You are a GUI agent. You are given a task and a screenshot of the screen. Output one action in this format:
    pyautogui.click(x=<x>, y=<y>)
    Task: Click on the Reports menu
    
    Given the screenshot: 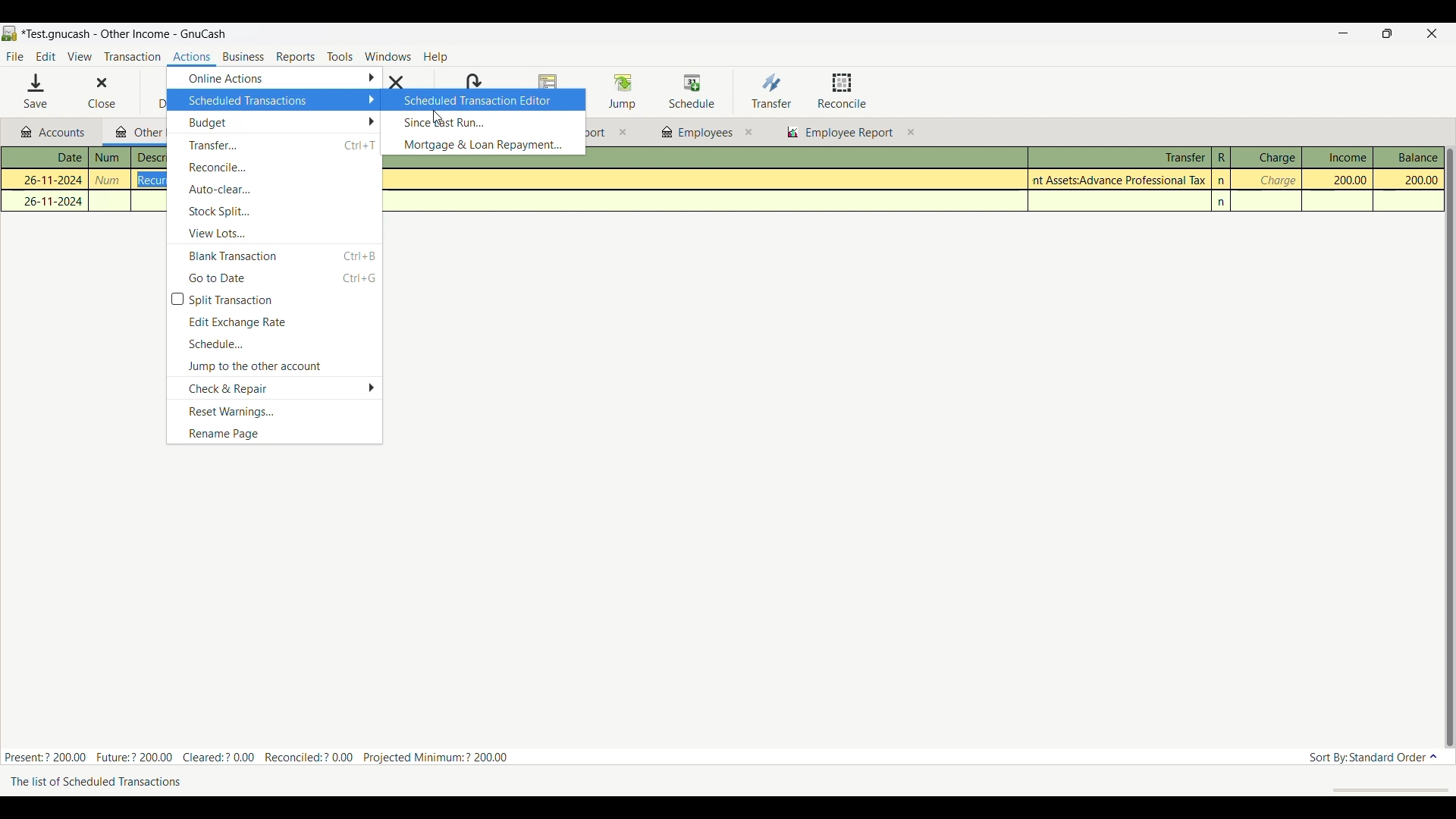 What is the action you would take?
    pyautogui.click(x=297, y=57)
    